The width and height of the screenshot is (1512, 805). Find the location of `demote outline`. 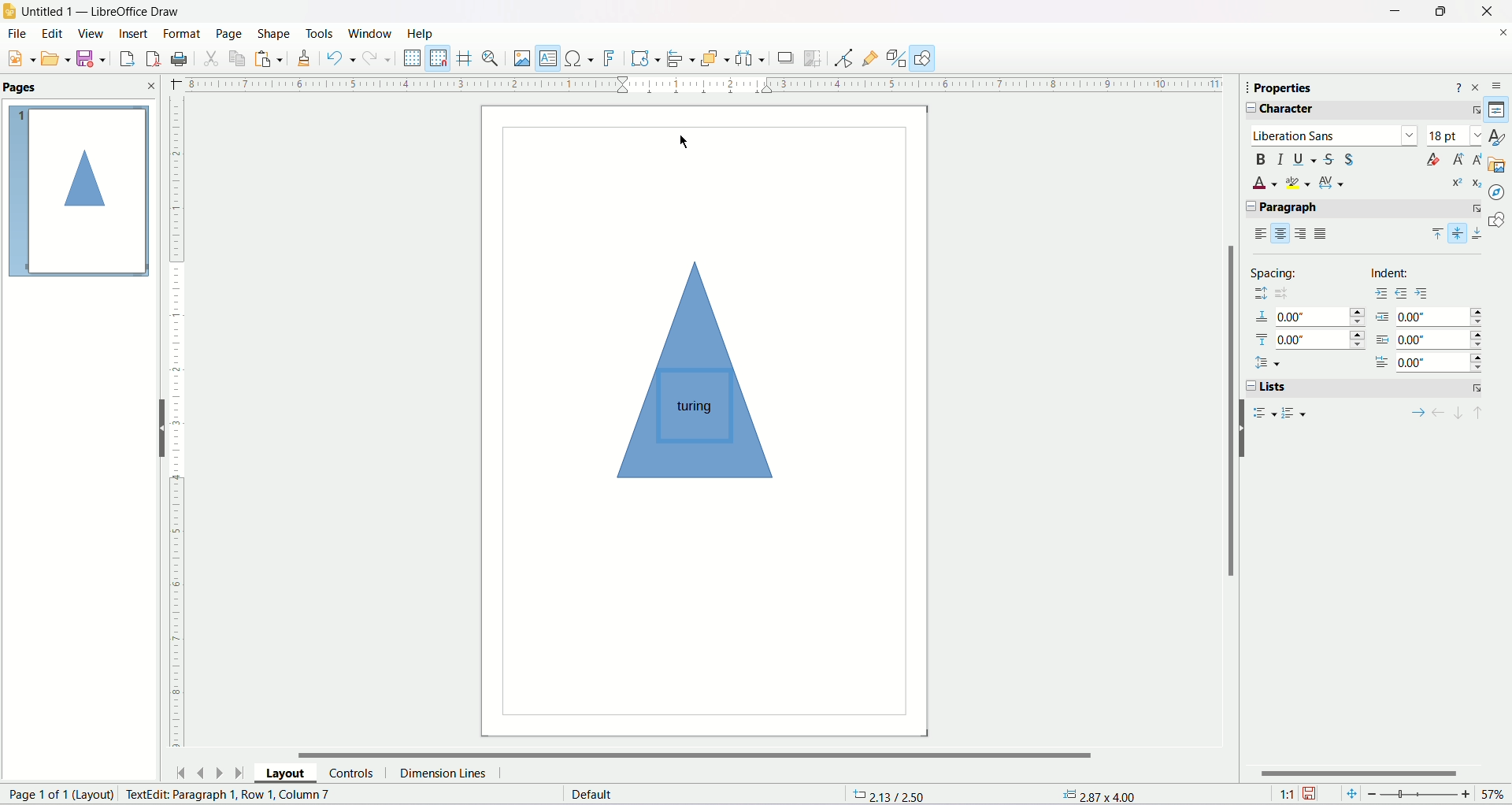

demote outline is located at coordinates (1417, 414).